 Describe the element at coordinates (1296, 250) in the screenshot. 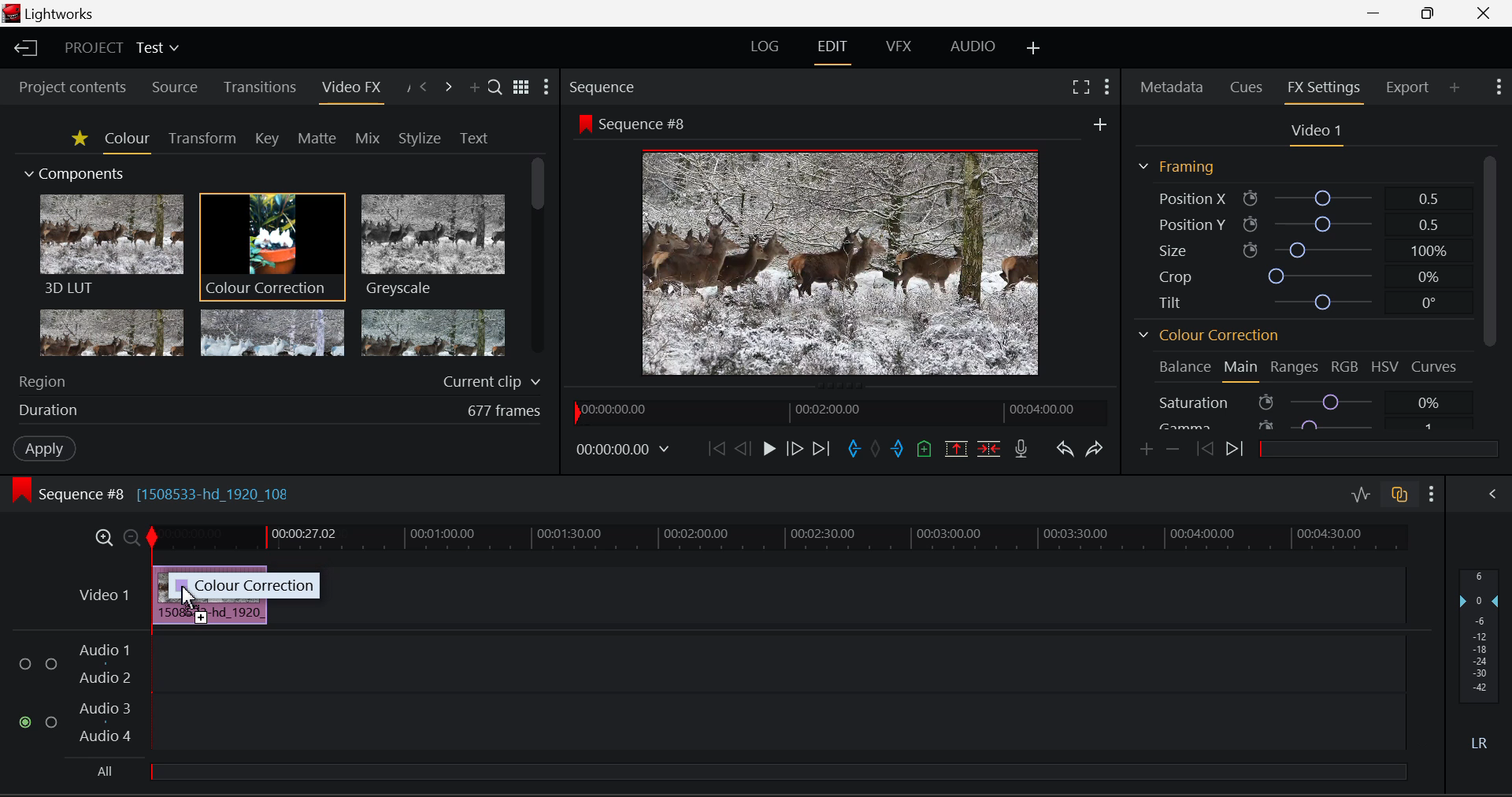

I see `Size` at that location.